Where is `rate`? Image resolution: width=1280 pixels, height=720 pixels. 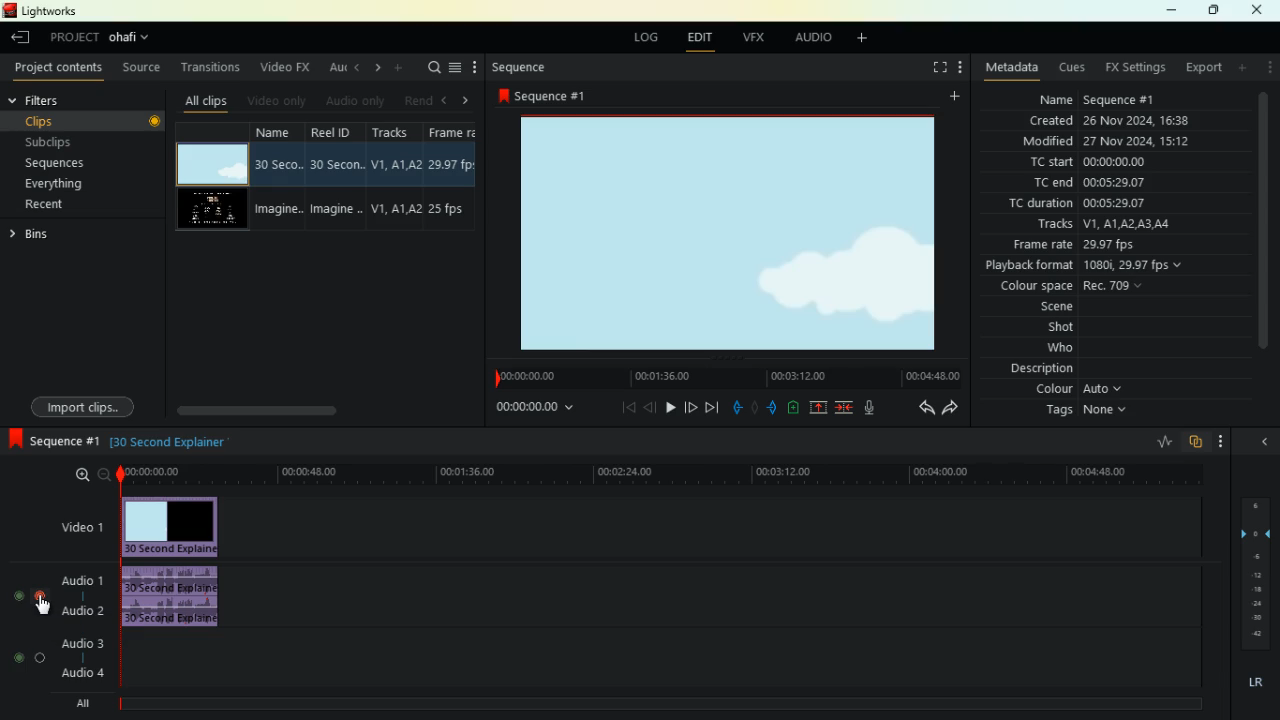 rate is located at coordinates (1154, 442).